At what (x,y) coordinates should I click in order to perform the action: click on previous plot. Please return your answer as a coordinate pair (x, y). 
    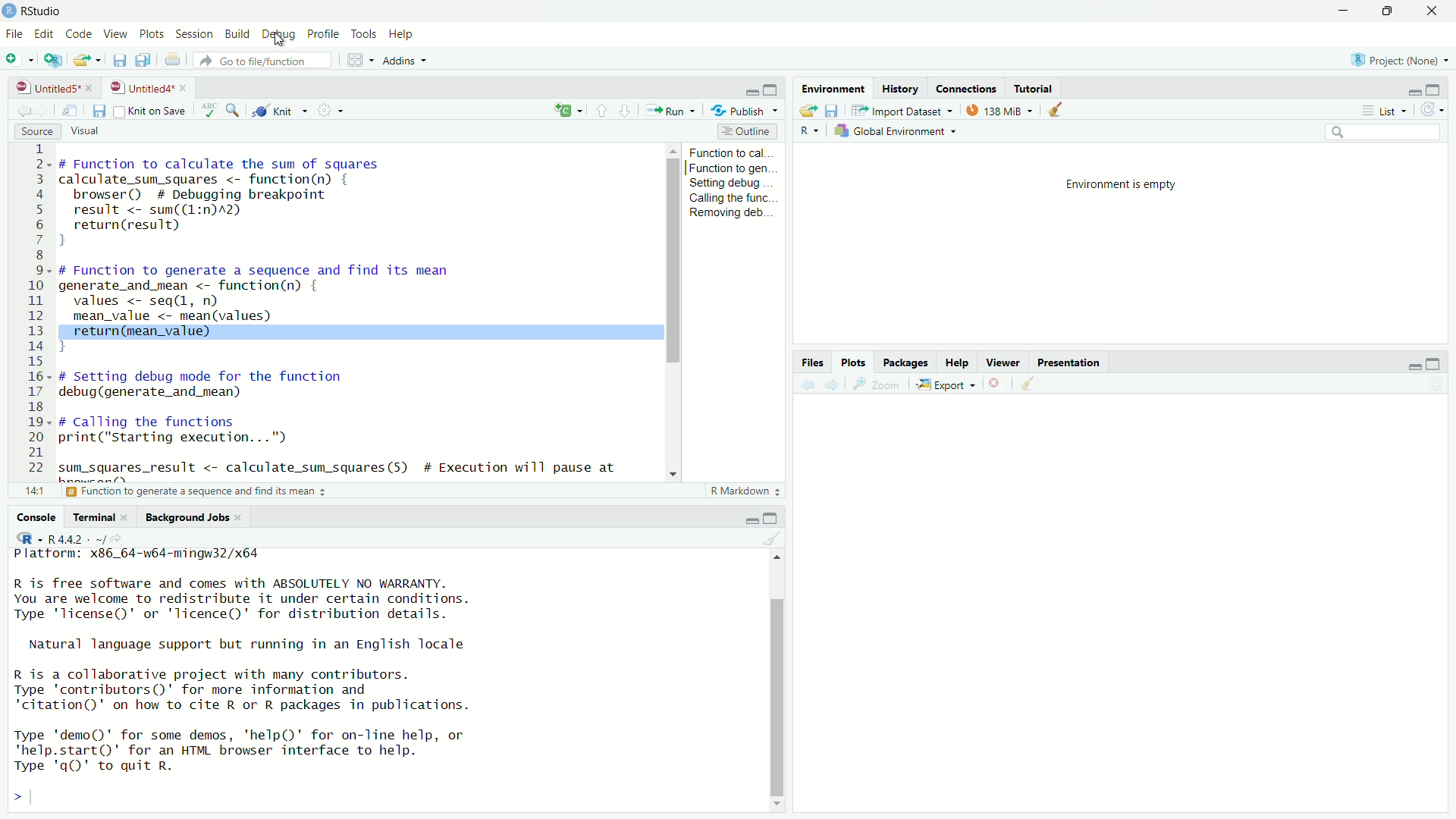
    Looking at the image, I should click on (805, 384).